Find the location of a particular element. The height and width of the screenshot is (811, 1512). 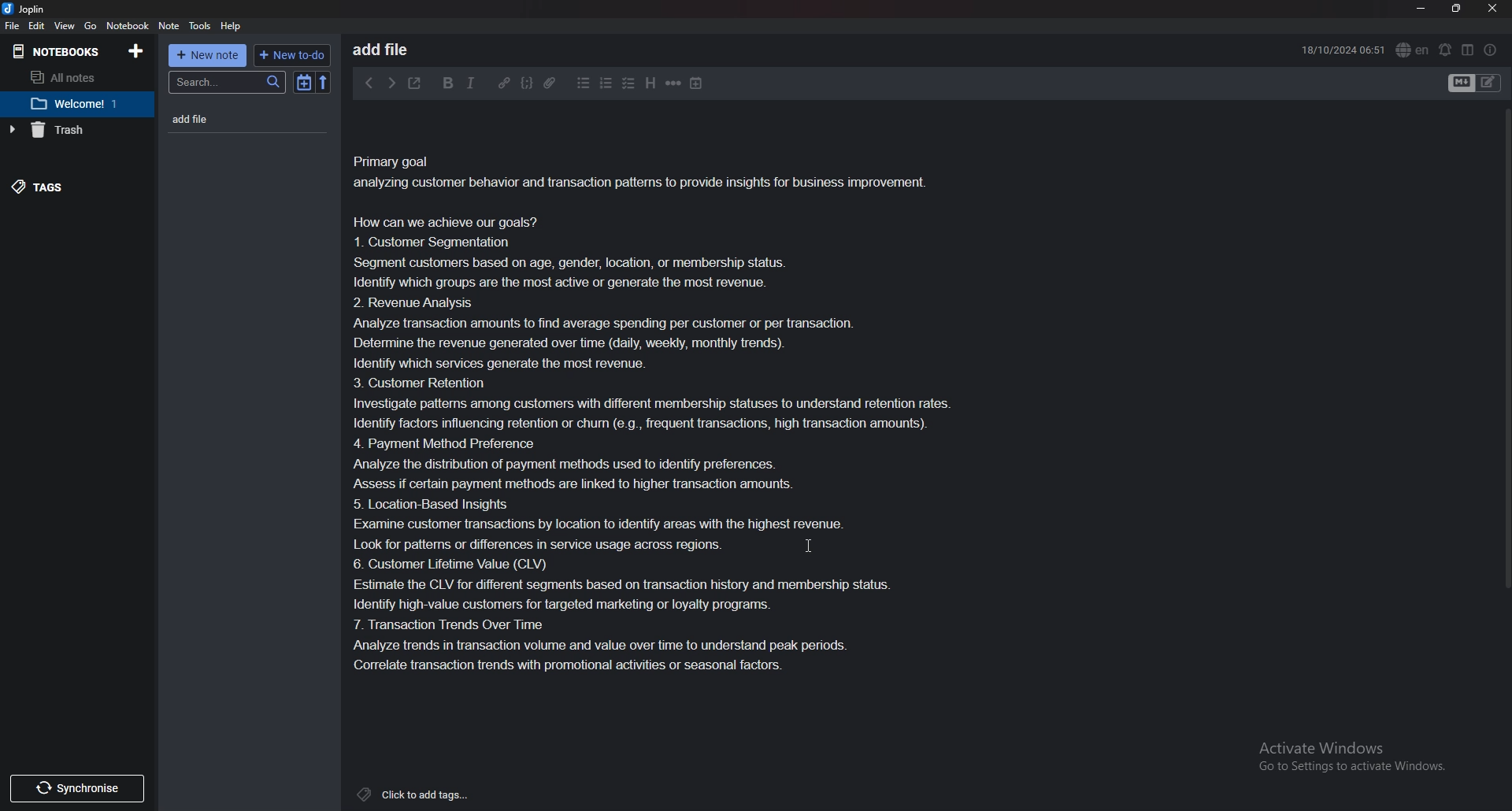

help is located at coordinates (231, 27).